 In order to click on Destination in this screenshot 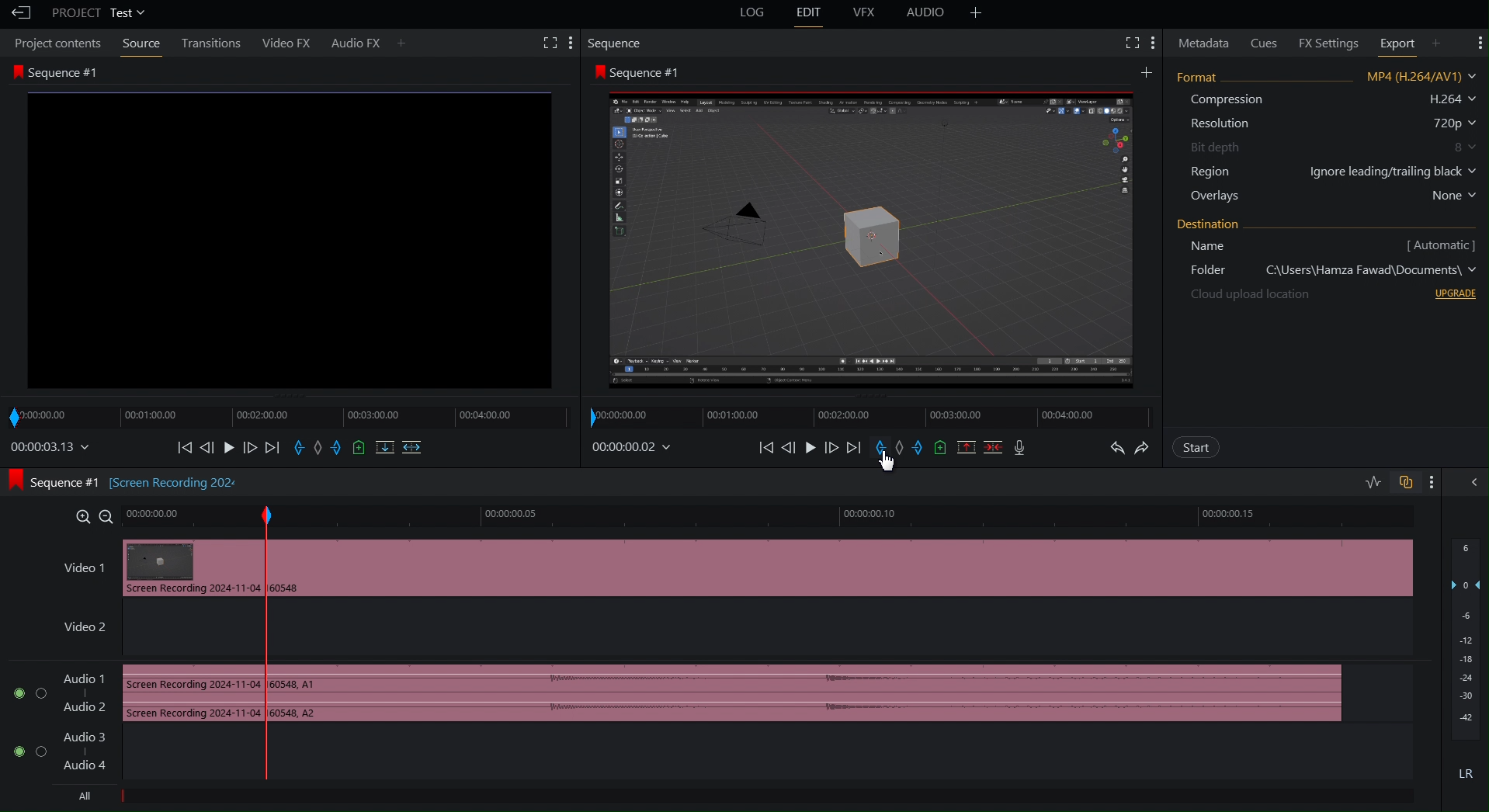, I will do `click(1330, 260)`.